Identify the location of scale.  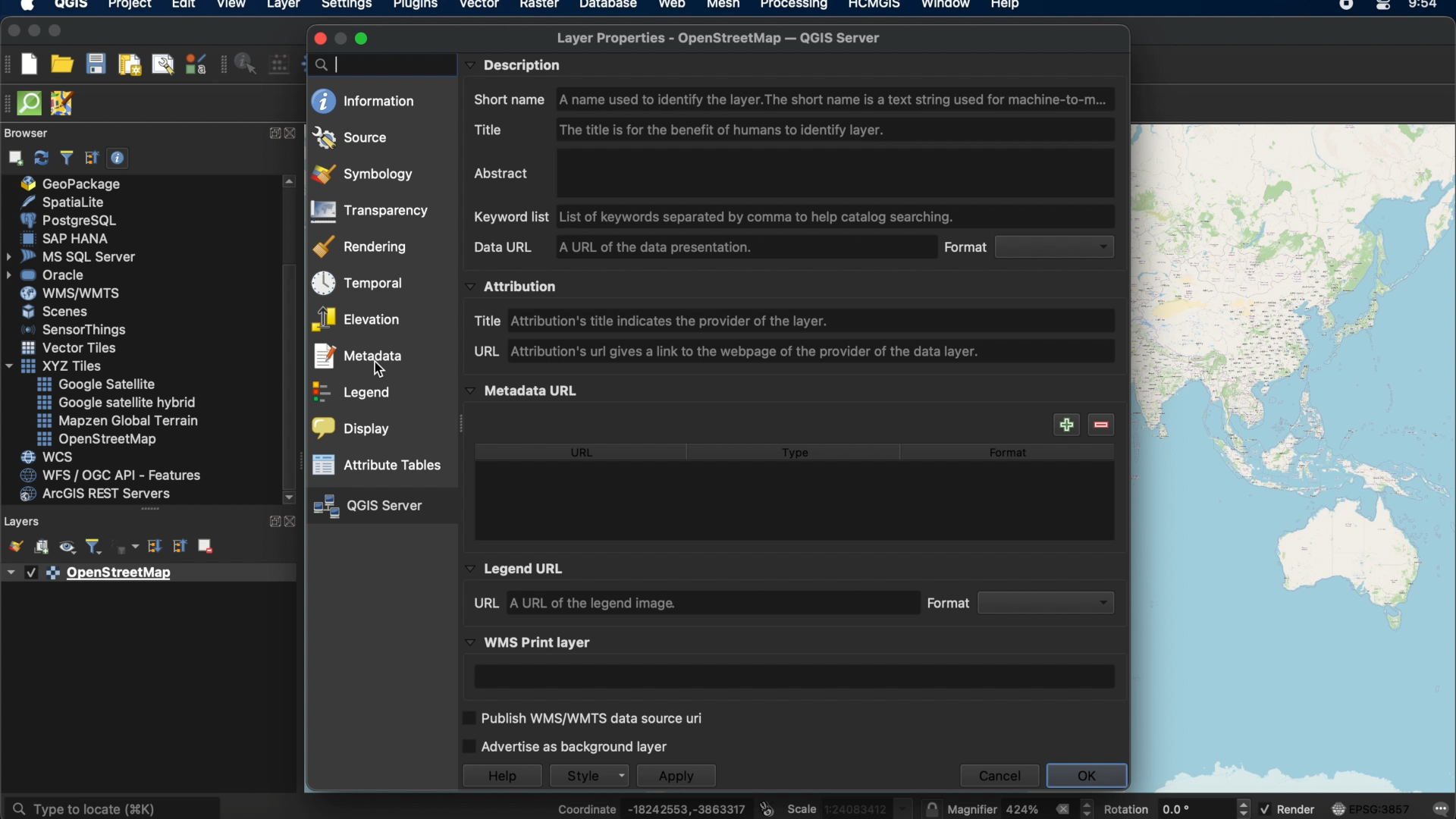
(851, 807).